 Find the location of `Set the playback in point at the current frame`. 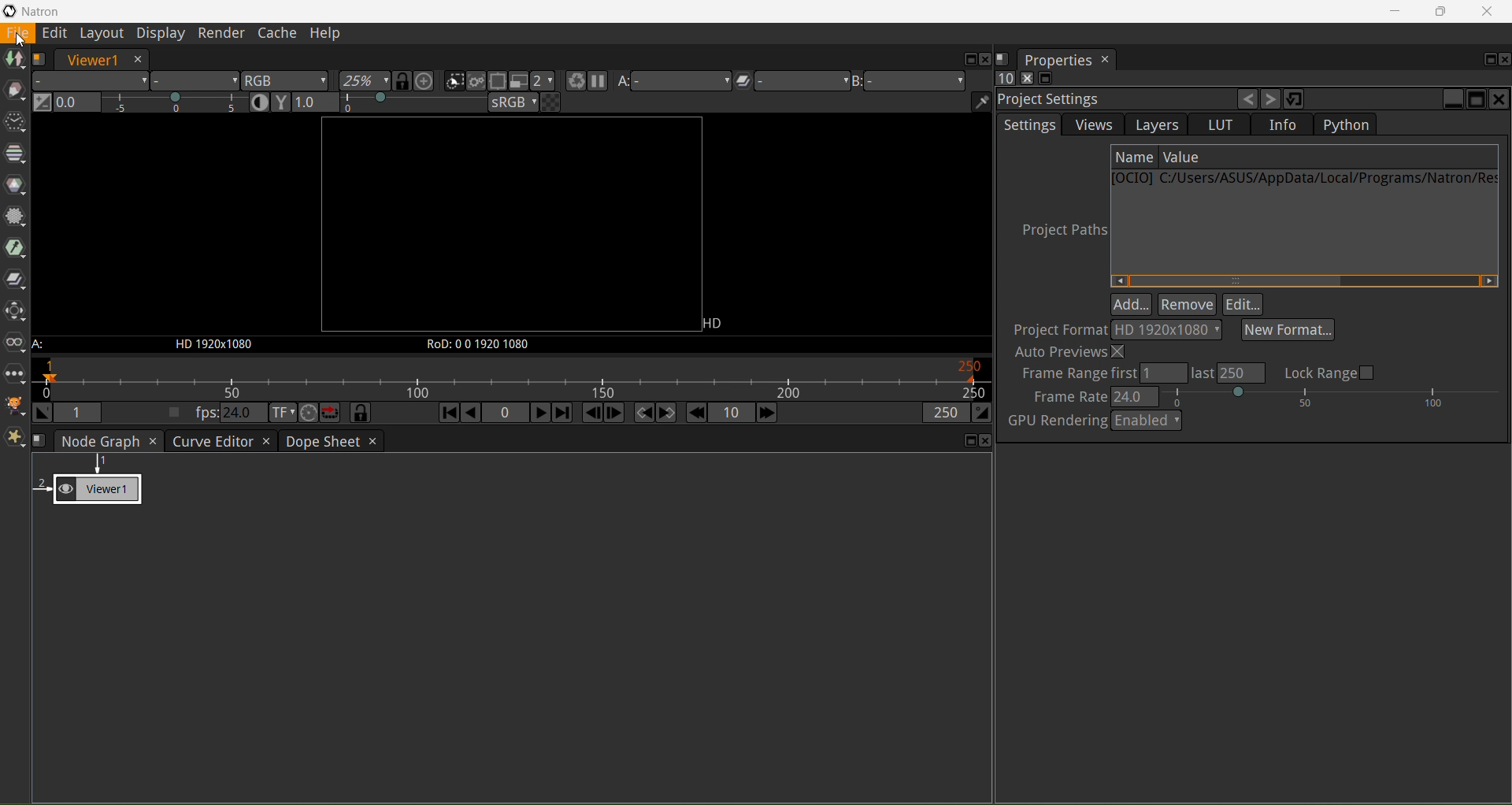

Set the playback in point at the current frame is located at coordinates (43, 413).